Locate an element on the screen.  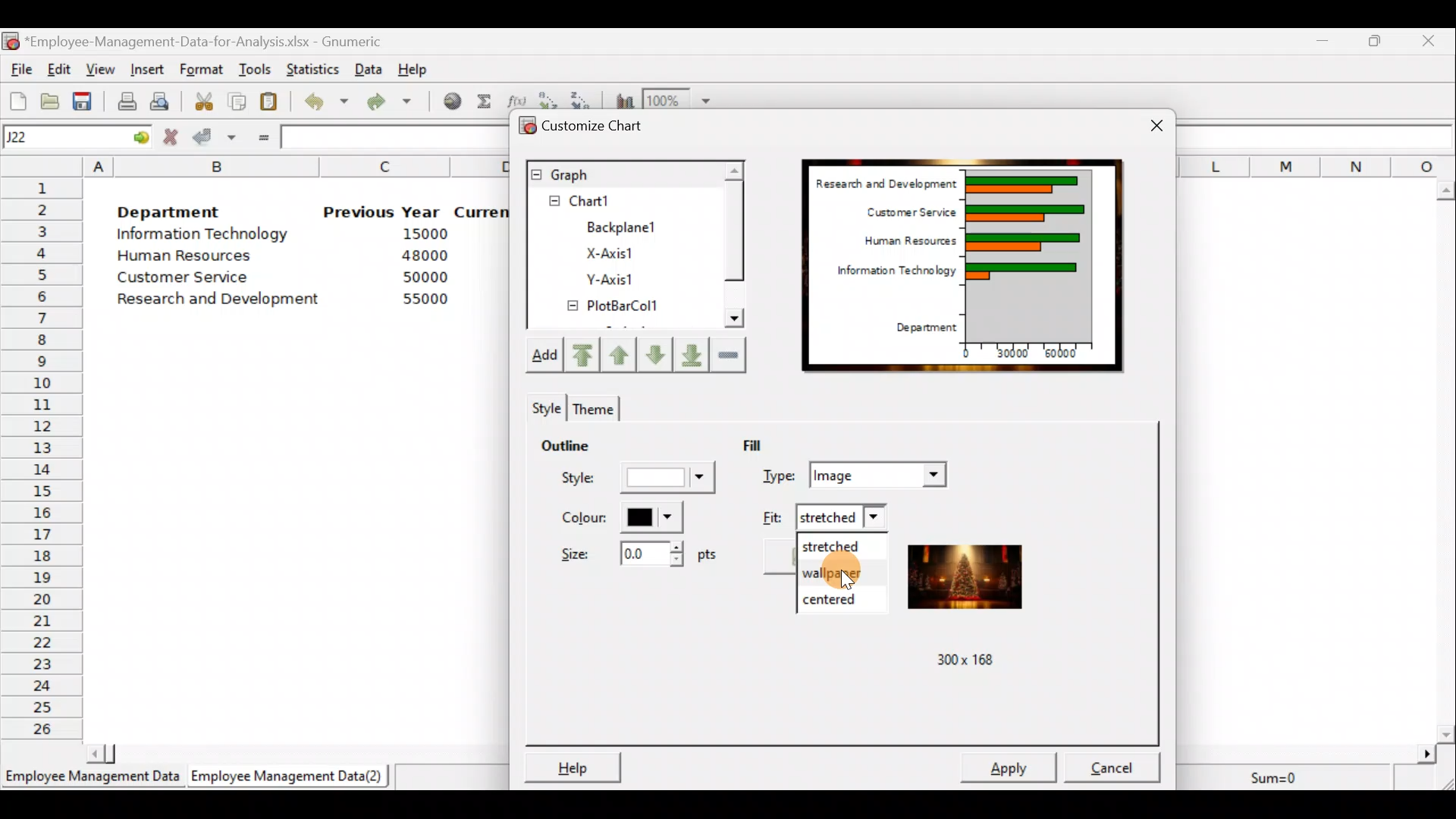
BackPlane1 is located at coordinates (631, 225).